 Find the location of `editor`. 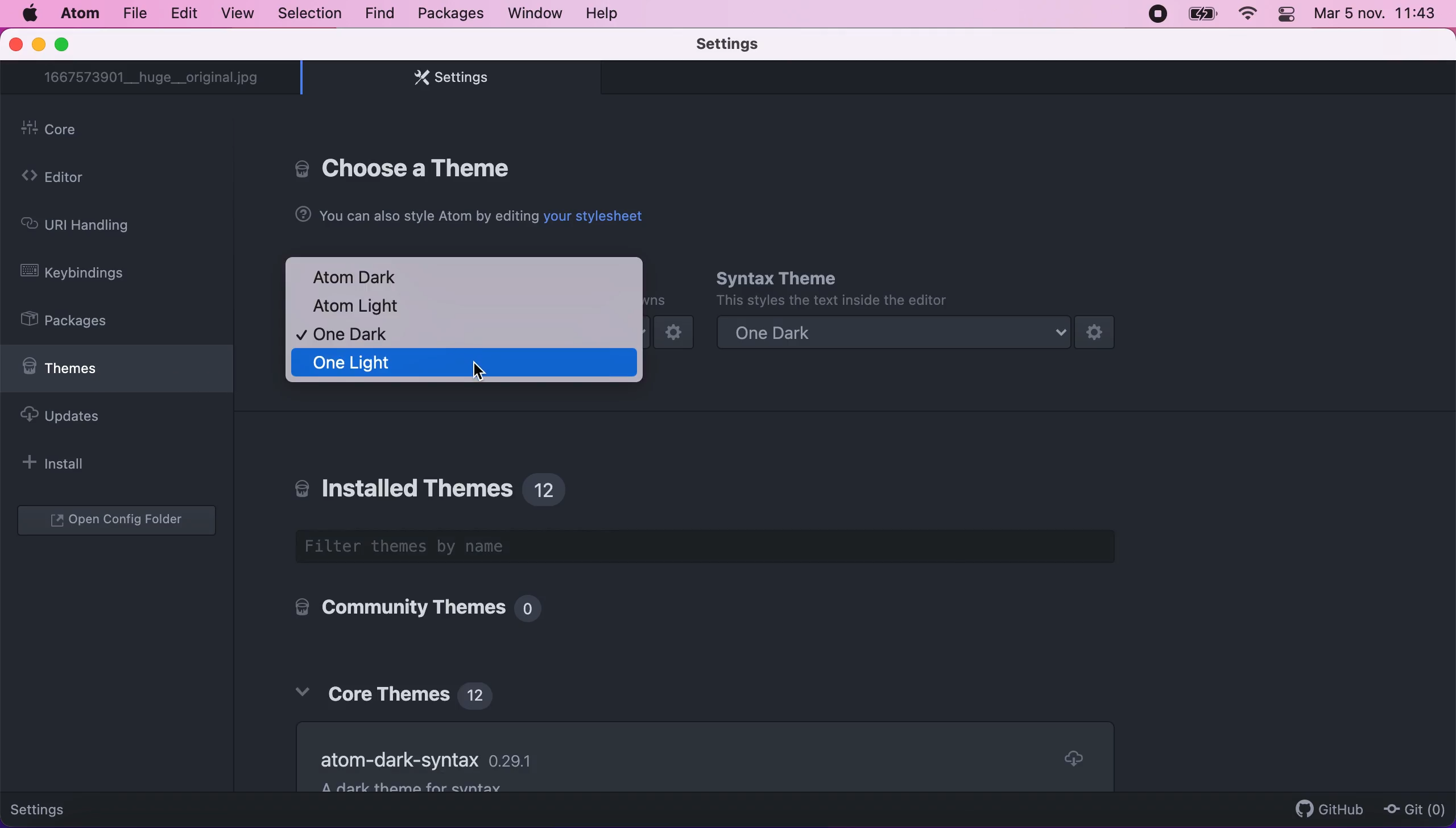

editor is located at coordinates (88, 179).